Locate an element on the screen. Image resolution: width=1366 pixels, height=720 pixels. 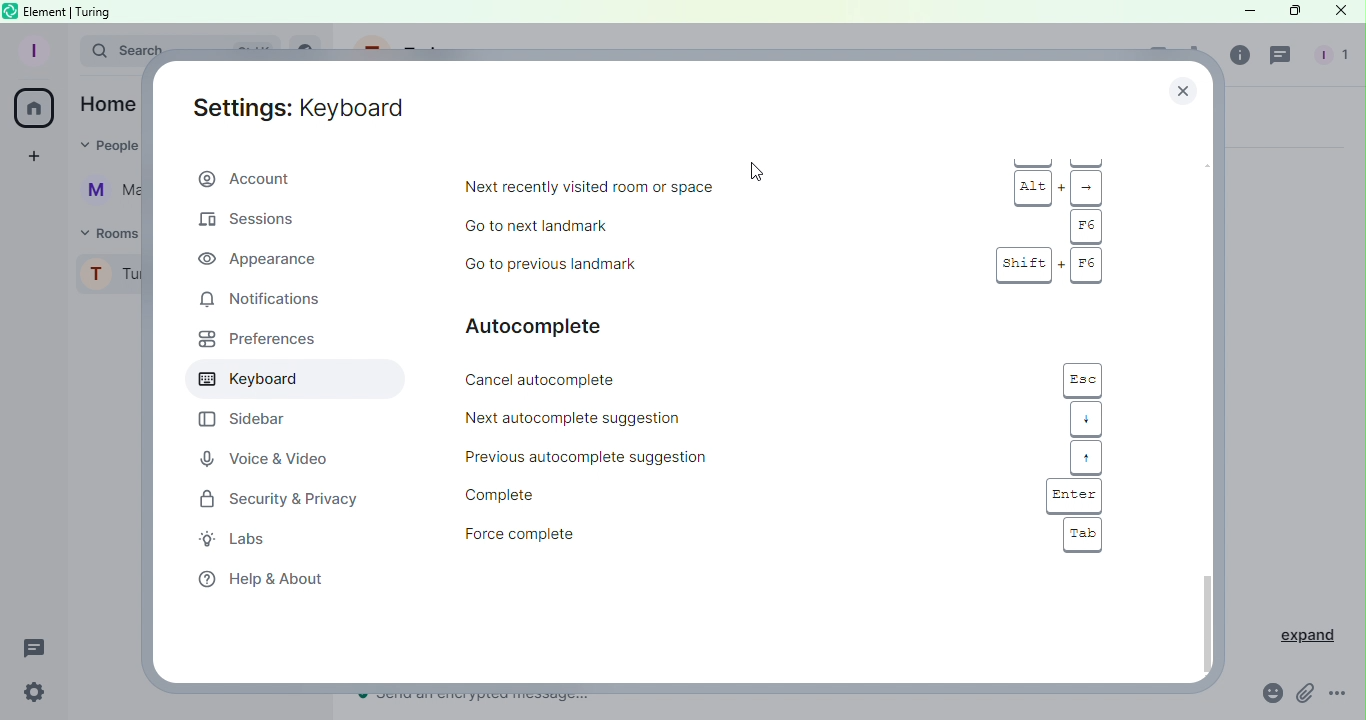
Martina Tornello is located at coordinates (103, 192).